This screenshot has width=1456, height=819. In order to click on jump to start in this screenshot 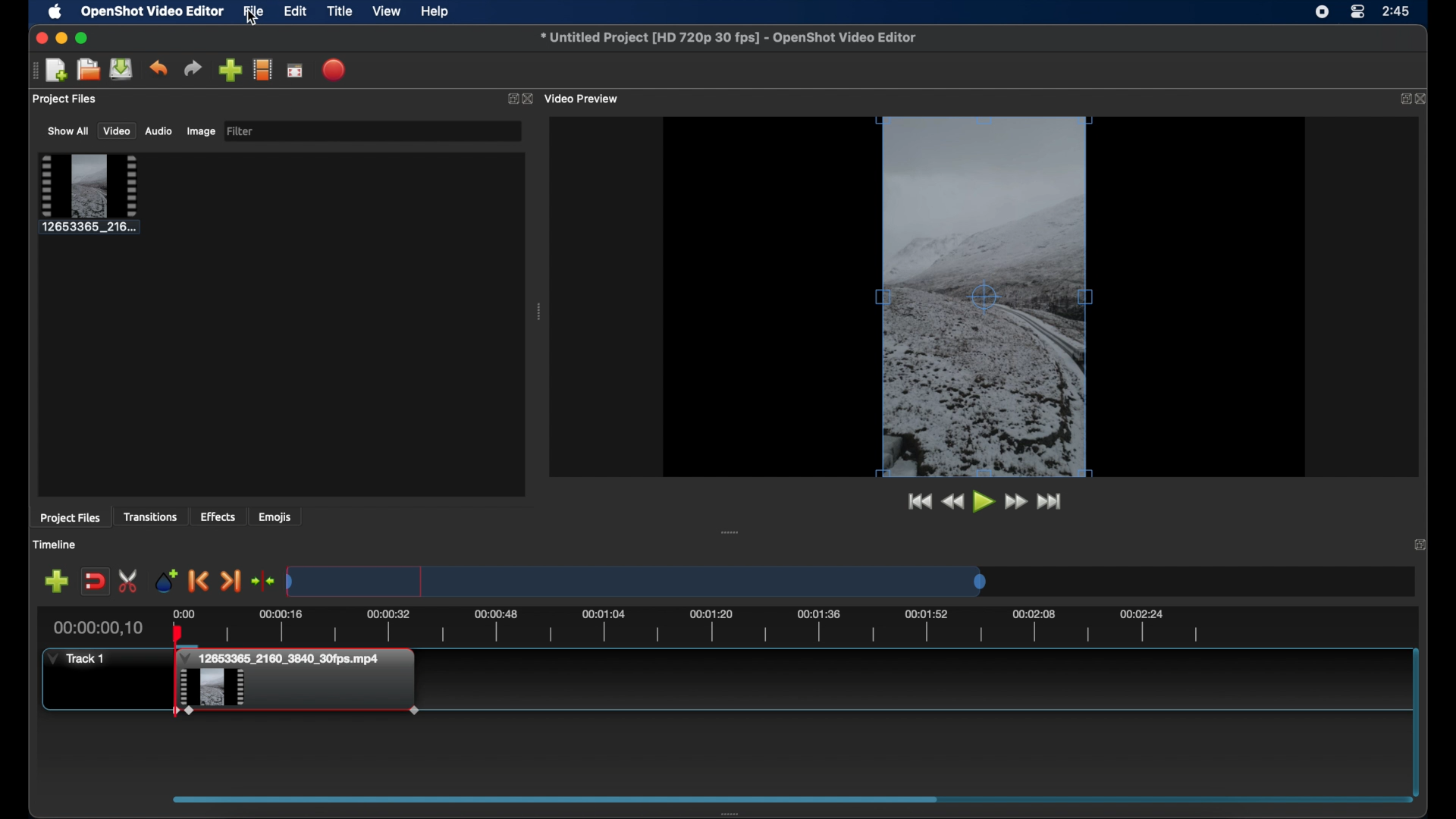, I will do `click(918, 502)`.